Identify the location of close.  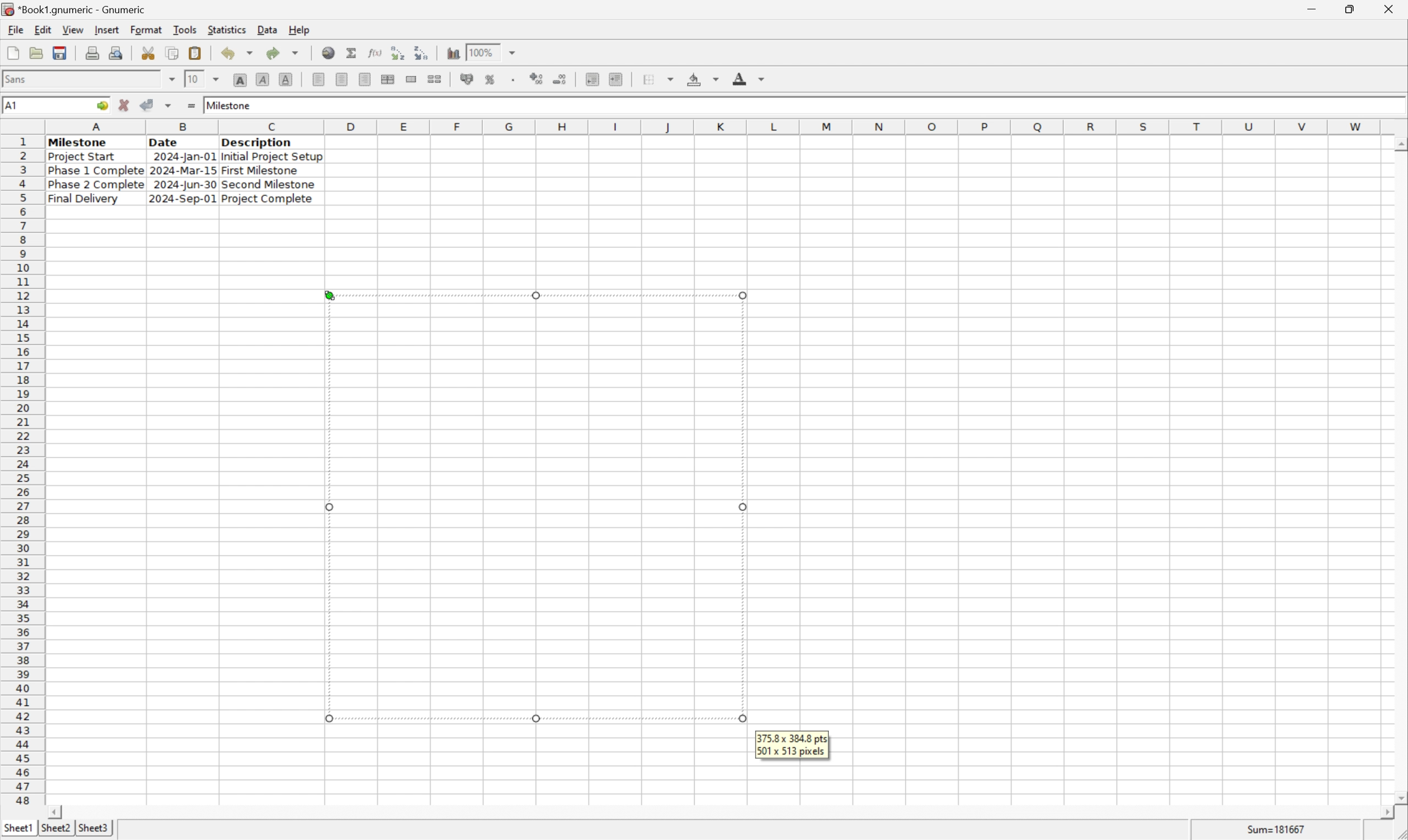
(1390, 7).